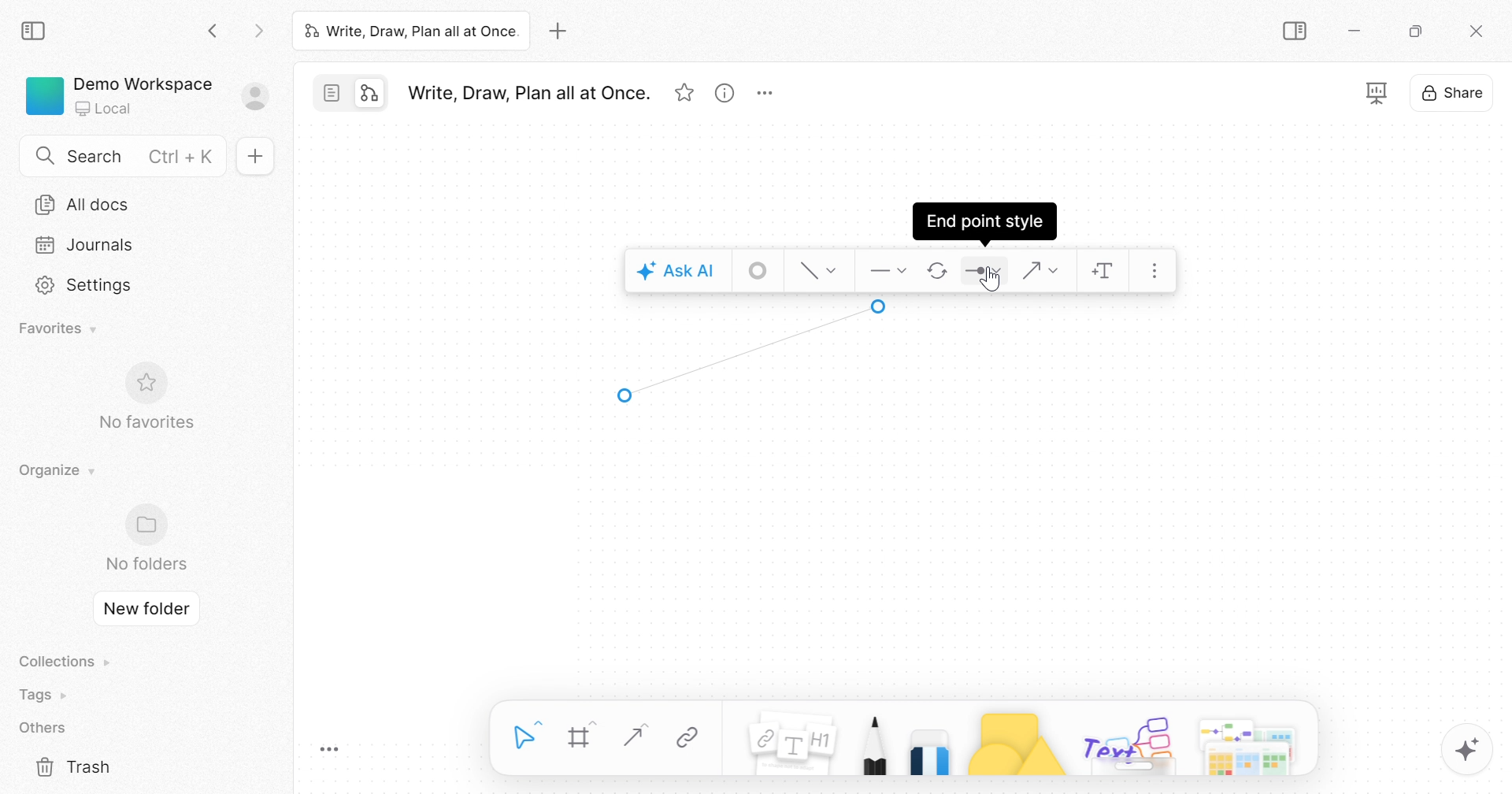  I want to click on Eraser, so click(931, 748).